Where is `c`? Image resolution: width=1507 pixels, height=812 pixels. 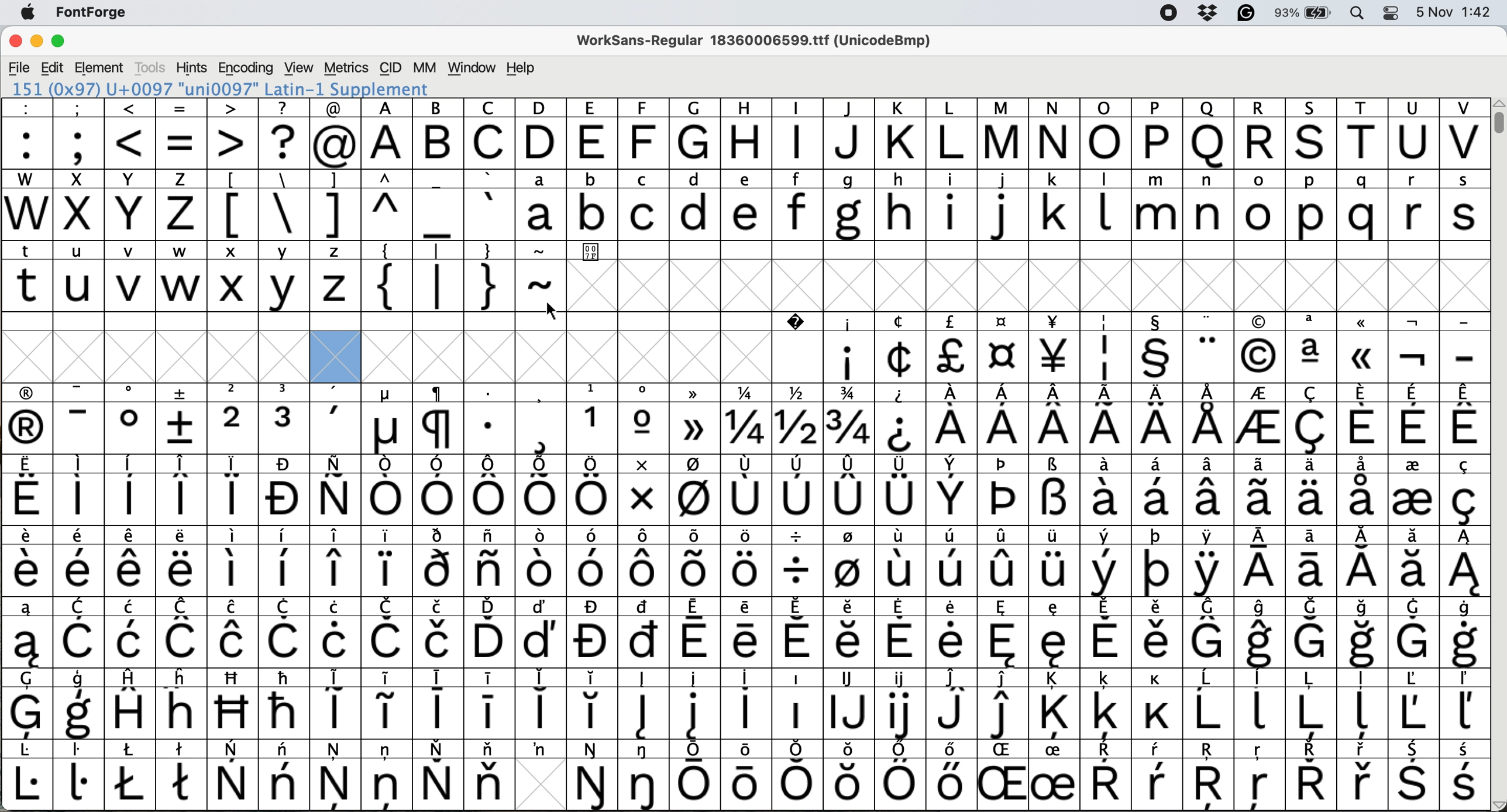 c is located at coordinates (646, 206).